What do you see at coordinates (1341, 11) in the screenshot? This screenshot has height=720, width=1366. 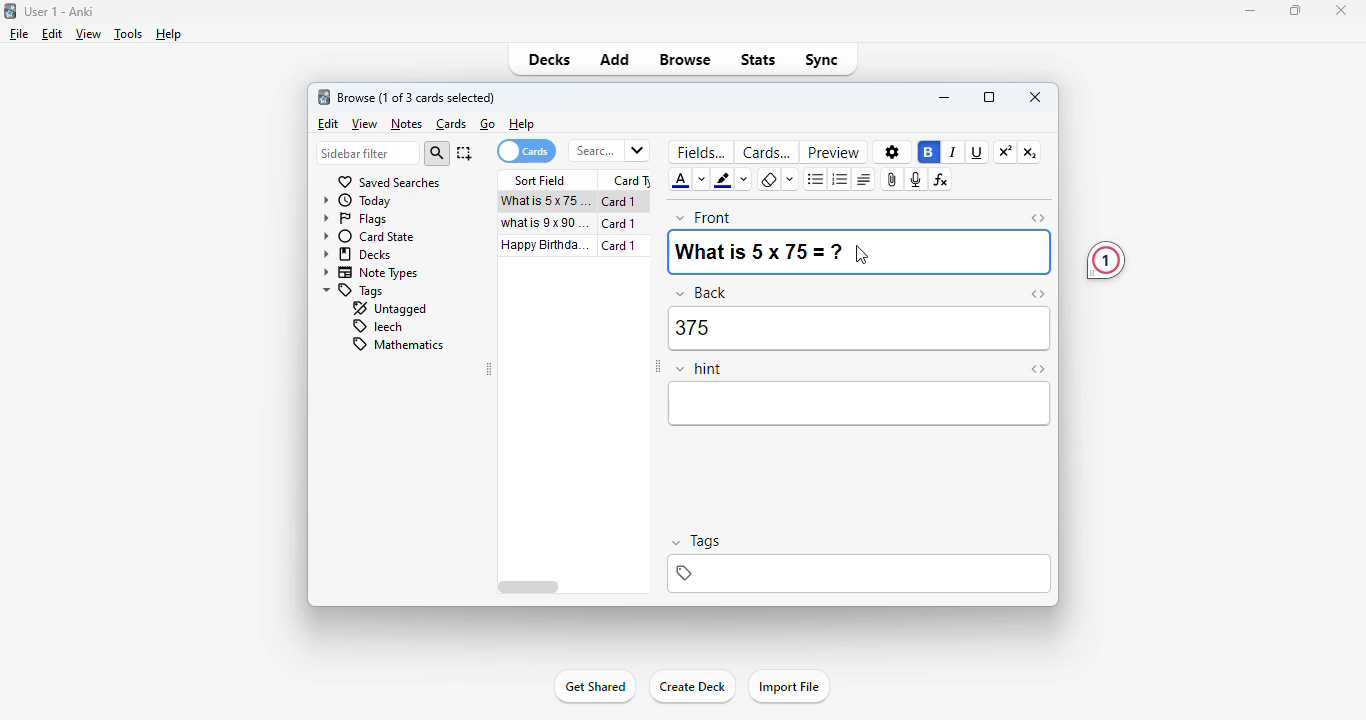 I see `close` at bounding box center [1341, 11].